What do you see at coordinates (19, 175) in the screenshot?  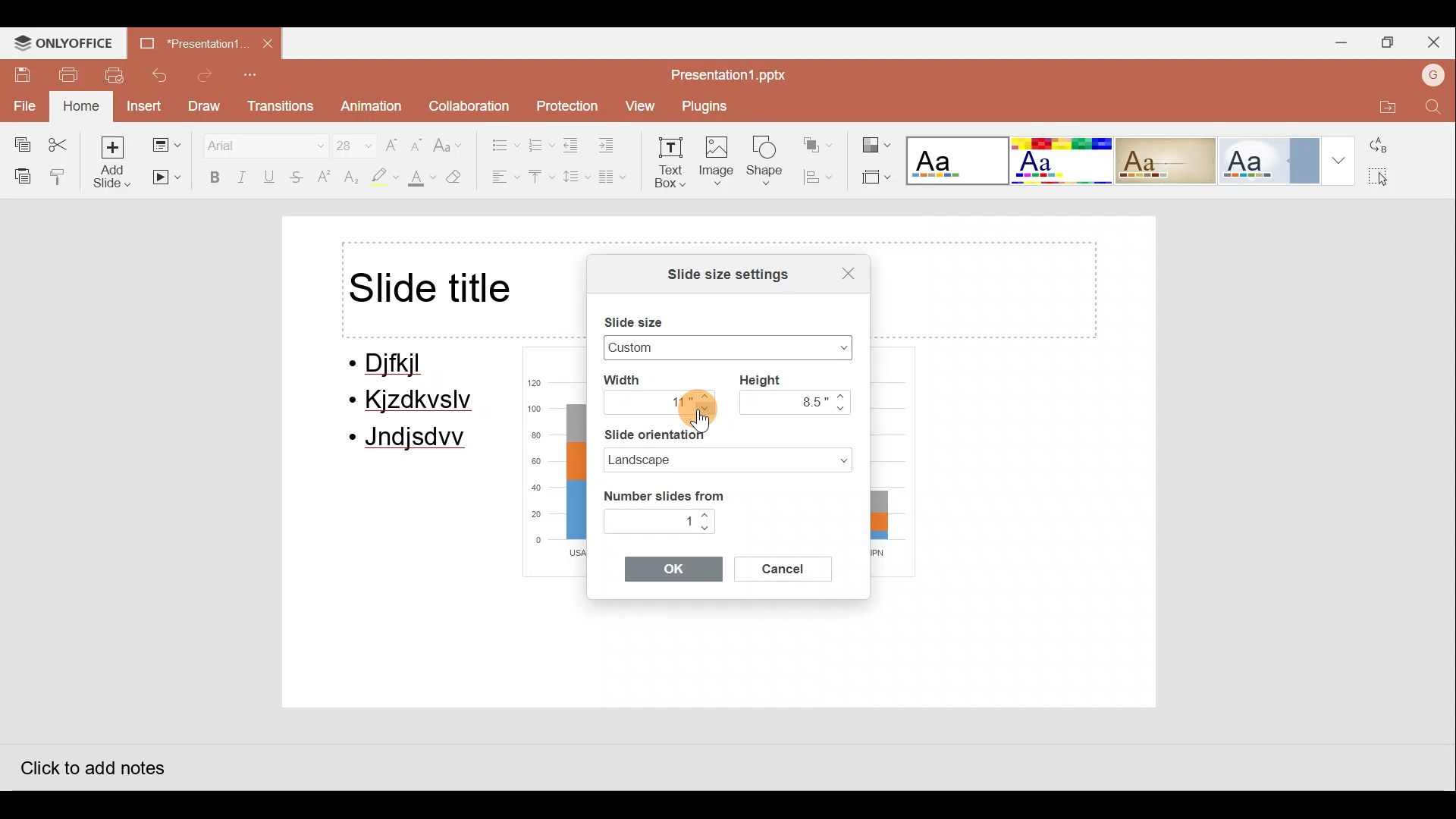 I see `Paste` at bounding box center [19, 175].